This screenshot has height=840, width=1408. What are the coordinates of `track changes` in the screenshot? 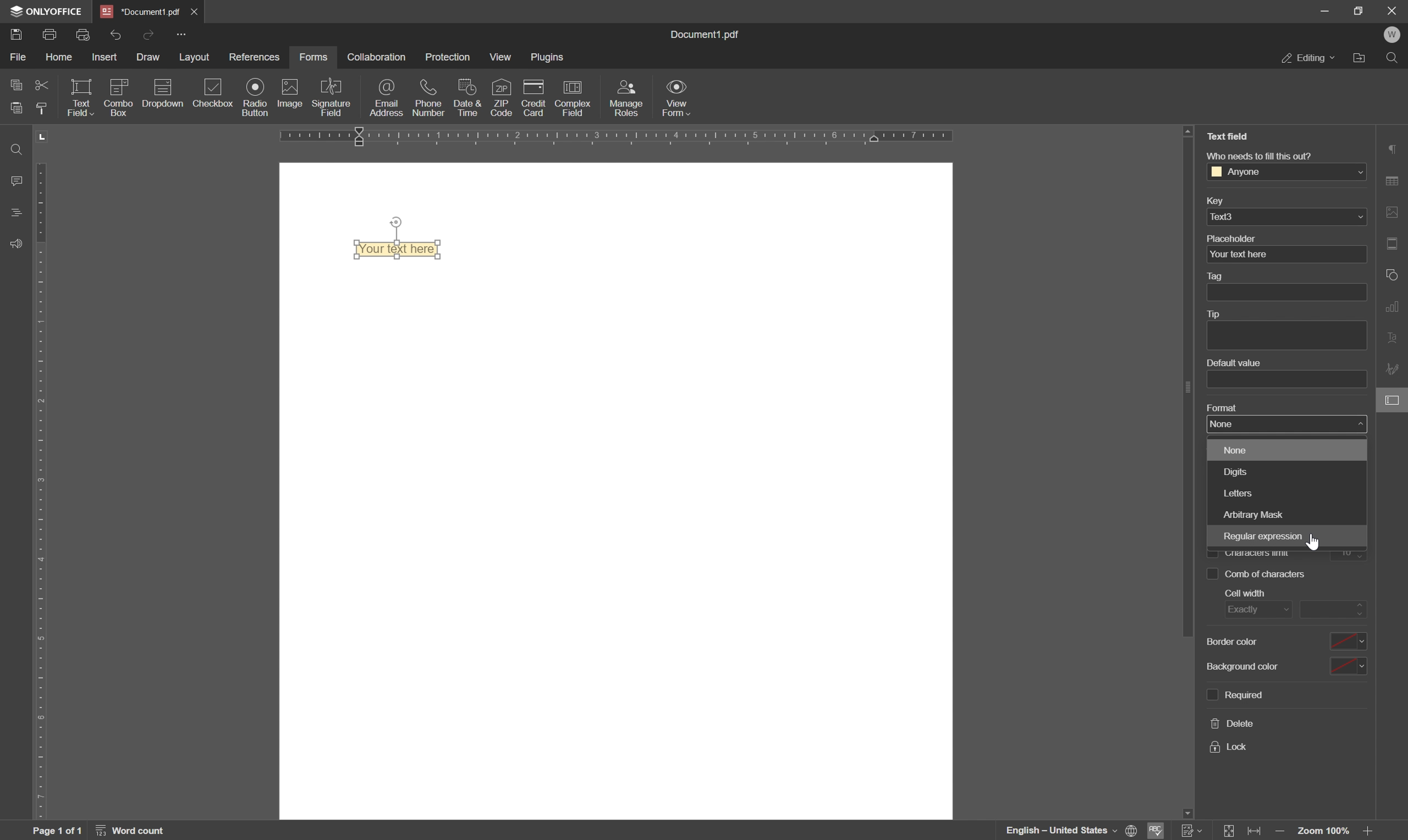 It's located at (1192, 831).